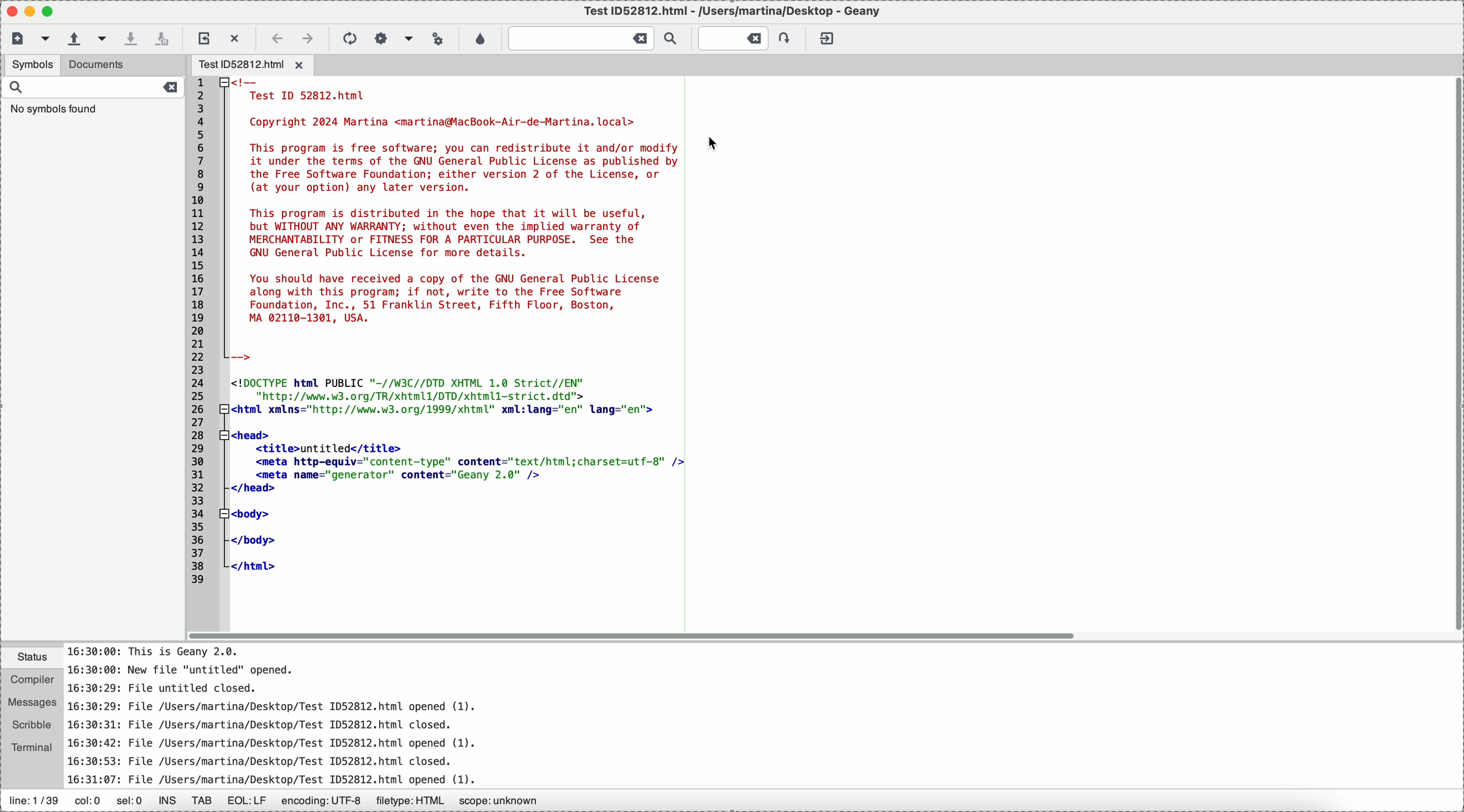 The width and height of the screenshot is (1464, 812). Describe the element at coordinates (253, 65) in the screenshot. I see `TestID52812 htm` at that location.